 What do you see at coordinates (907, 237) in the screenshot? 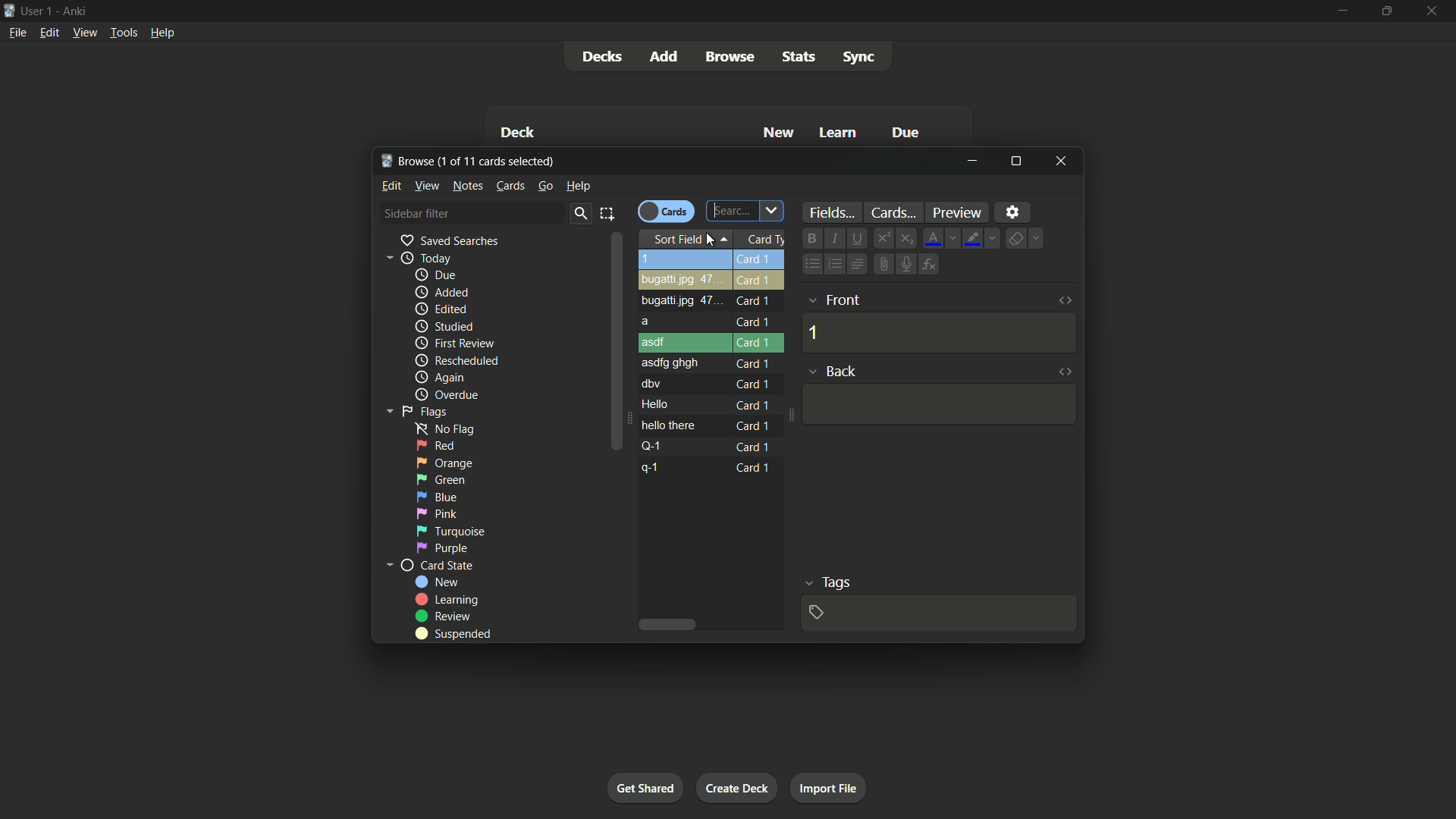
I see `subscript` at bounding box center [907, 237].